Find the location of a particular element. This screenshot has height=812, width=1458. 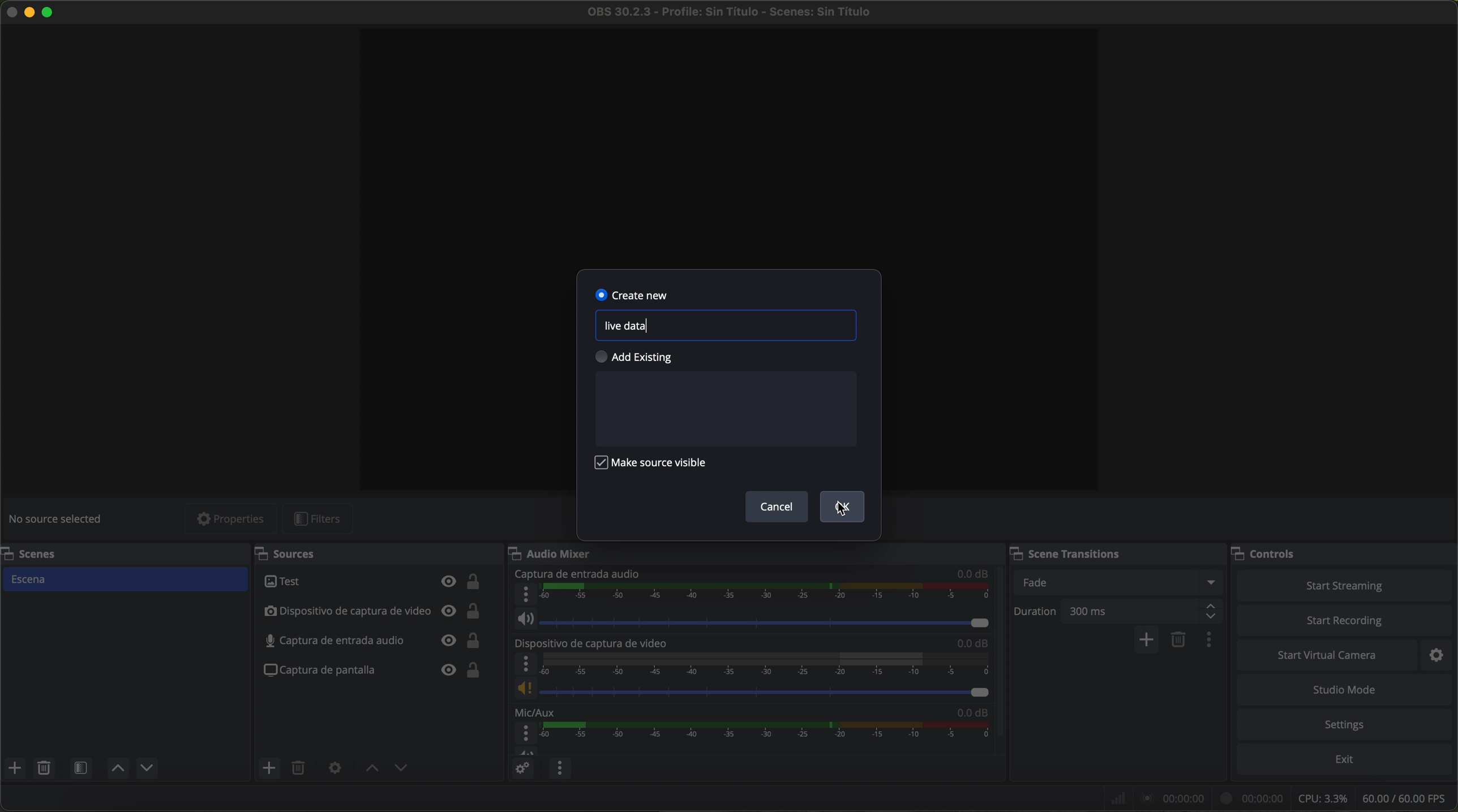

settings is located at coordinates (1439, 656).